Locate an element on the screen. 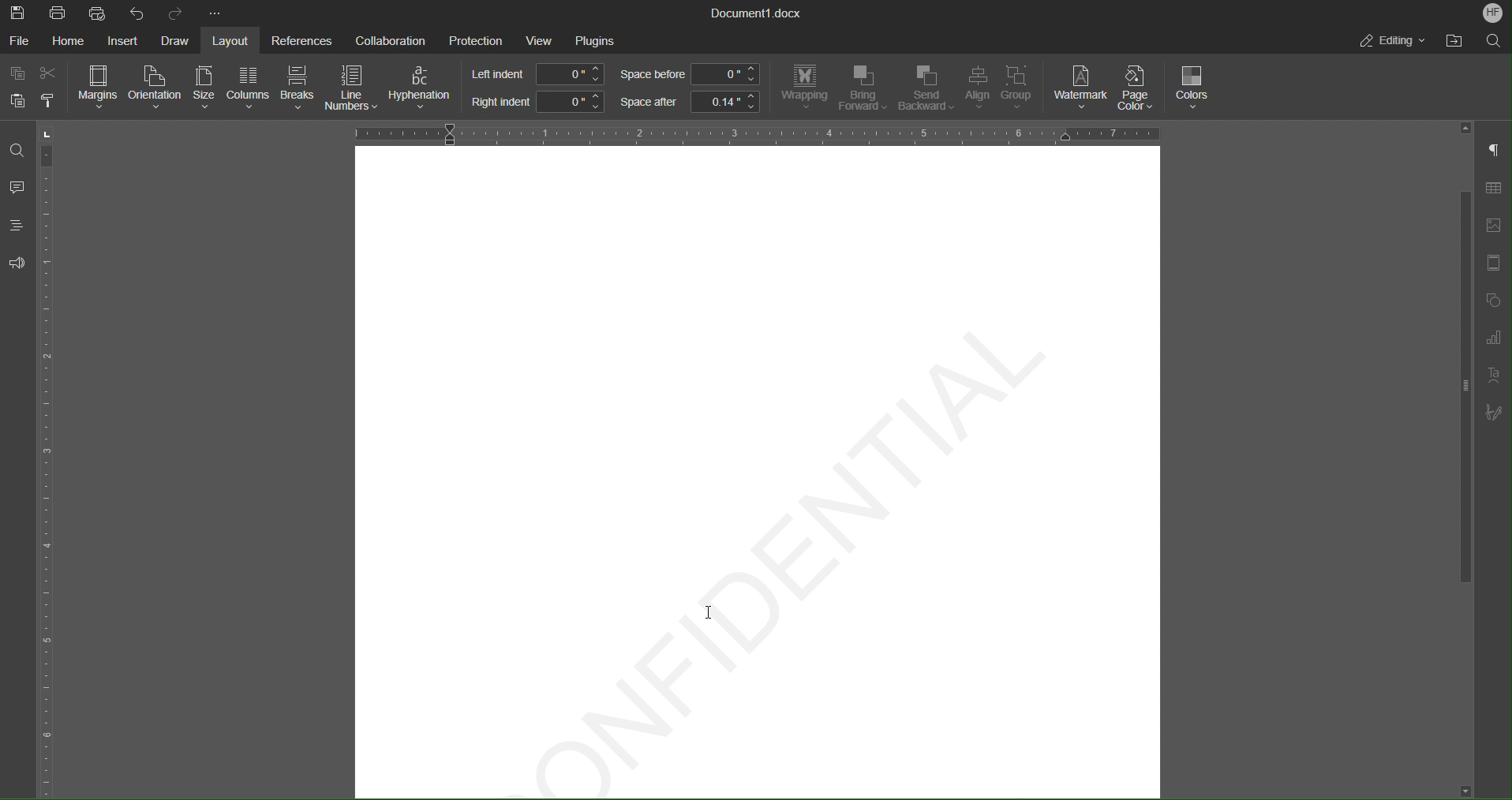 Image resolution: width=1512 pixels, height=800 pixels. Insert is located at coordinates (122, 41).